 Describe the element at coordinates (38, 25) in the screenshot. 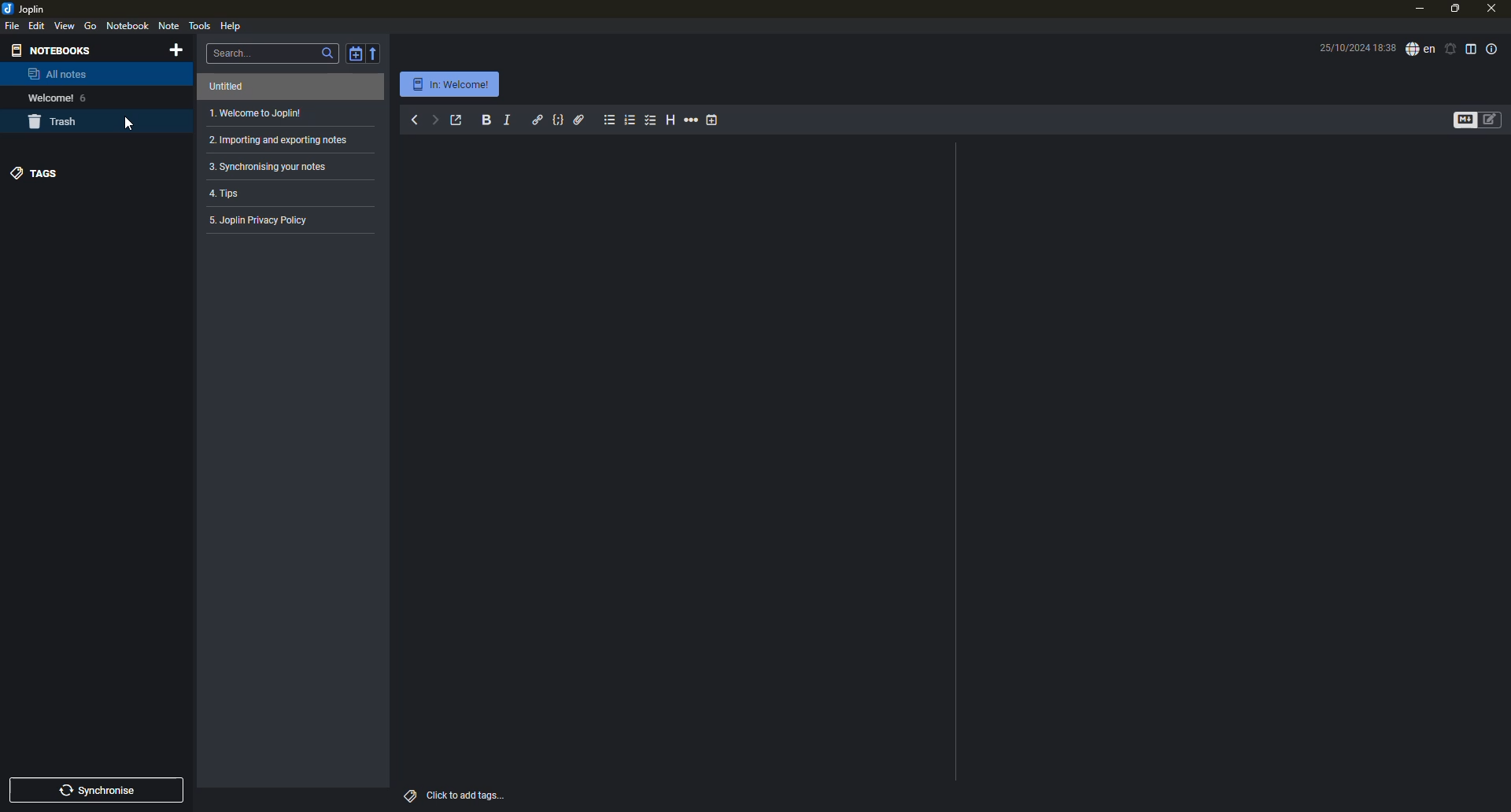

I see `edit` at that location.